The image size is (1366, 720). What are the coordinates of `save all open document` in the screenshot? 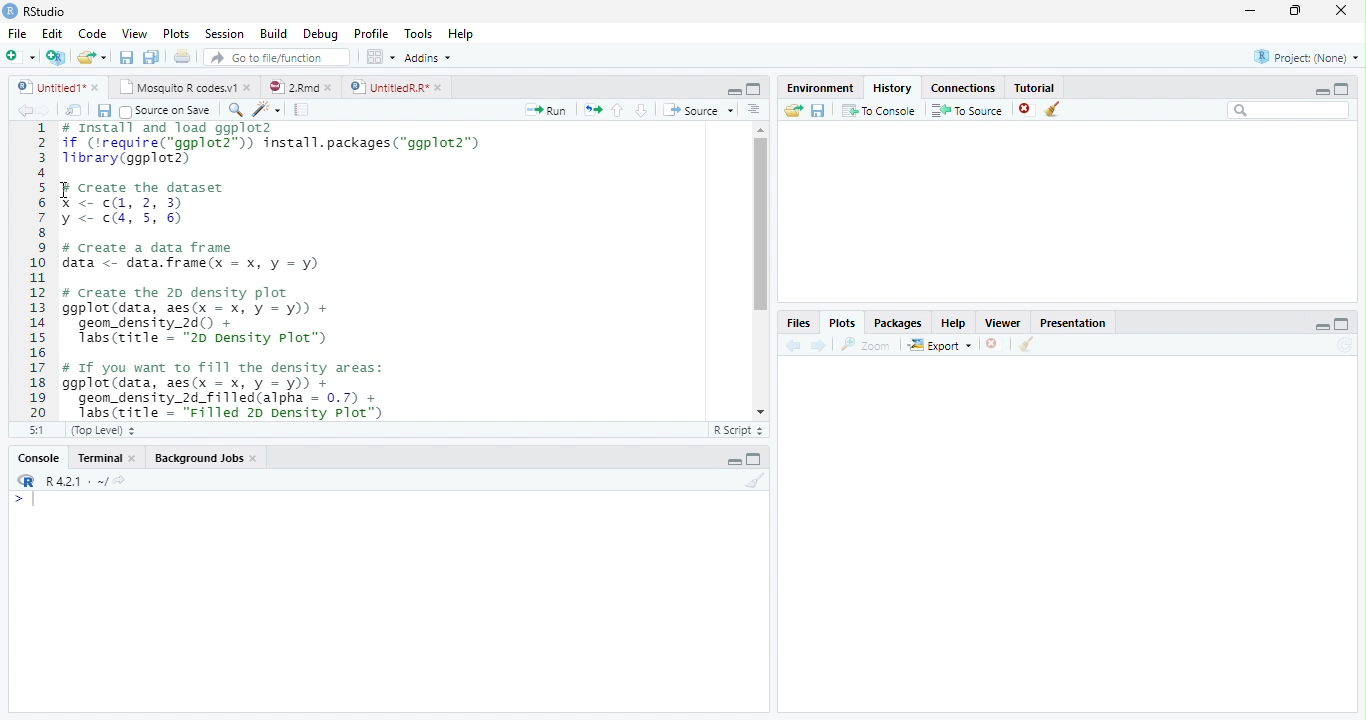 It's located at (151, 56).